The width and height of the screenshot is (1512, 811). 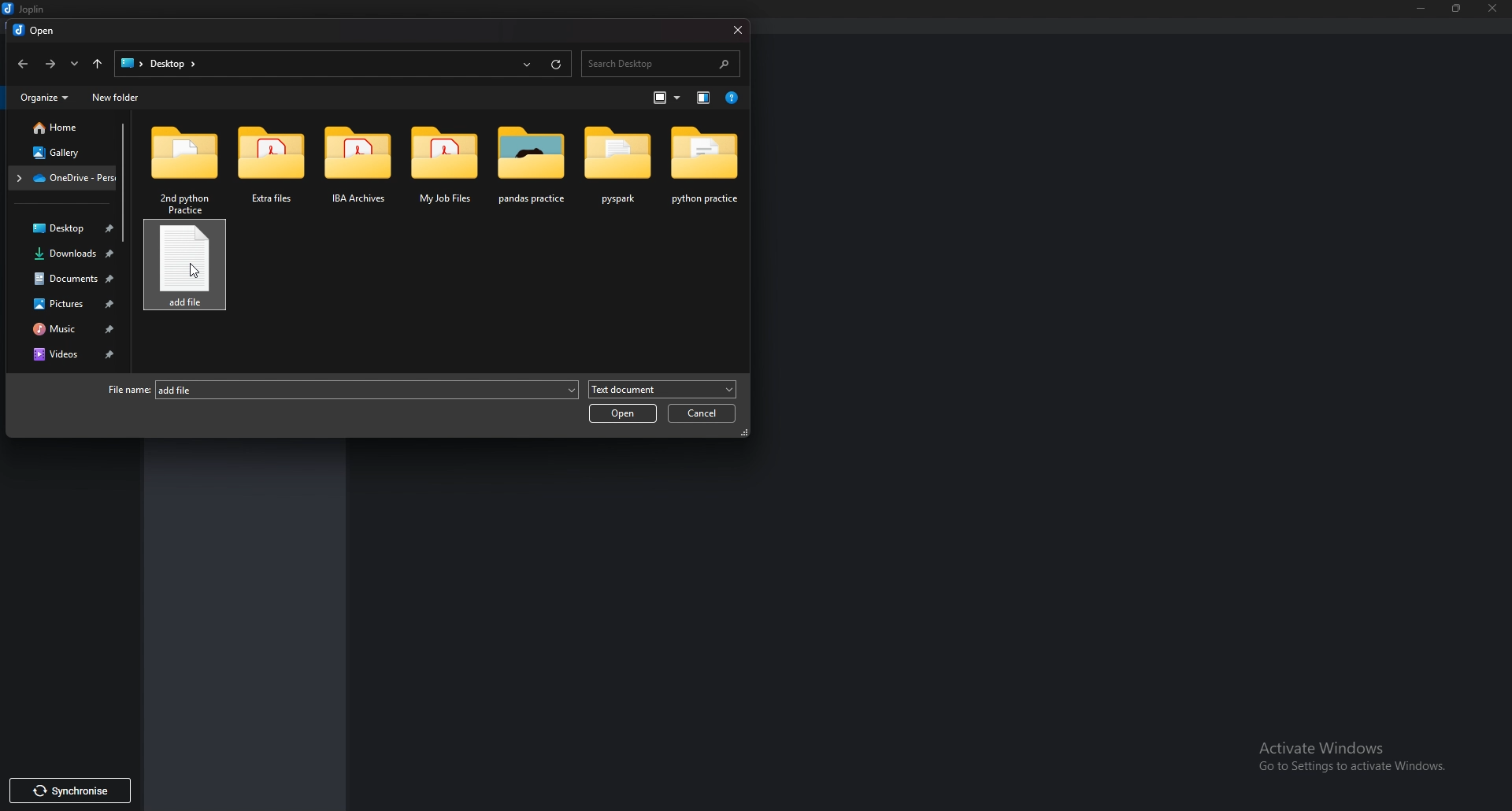 I want to click on cursor, so click(x=198, y=276).